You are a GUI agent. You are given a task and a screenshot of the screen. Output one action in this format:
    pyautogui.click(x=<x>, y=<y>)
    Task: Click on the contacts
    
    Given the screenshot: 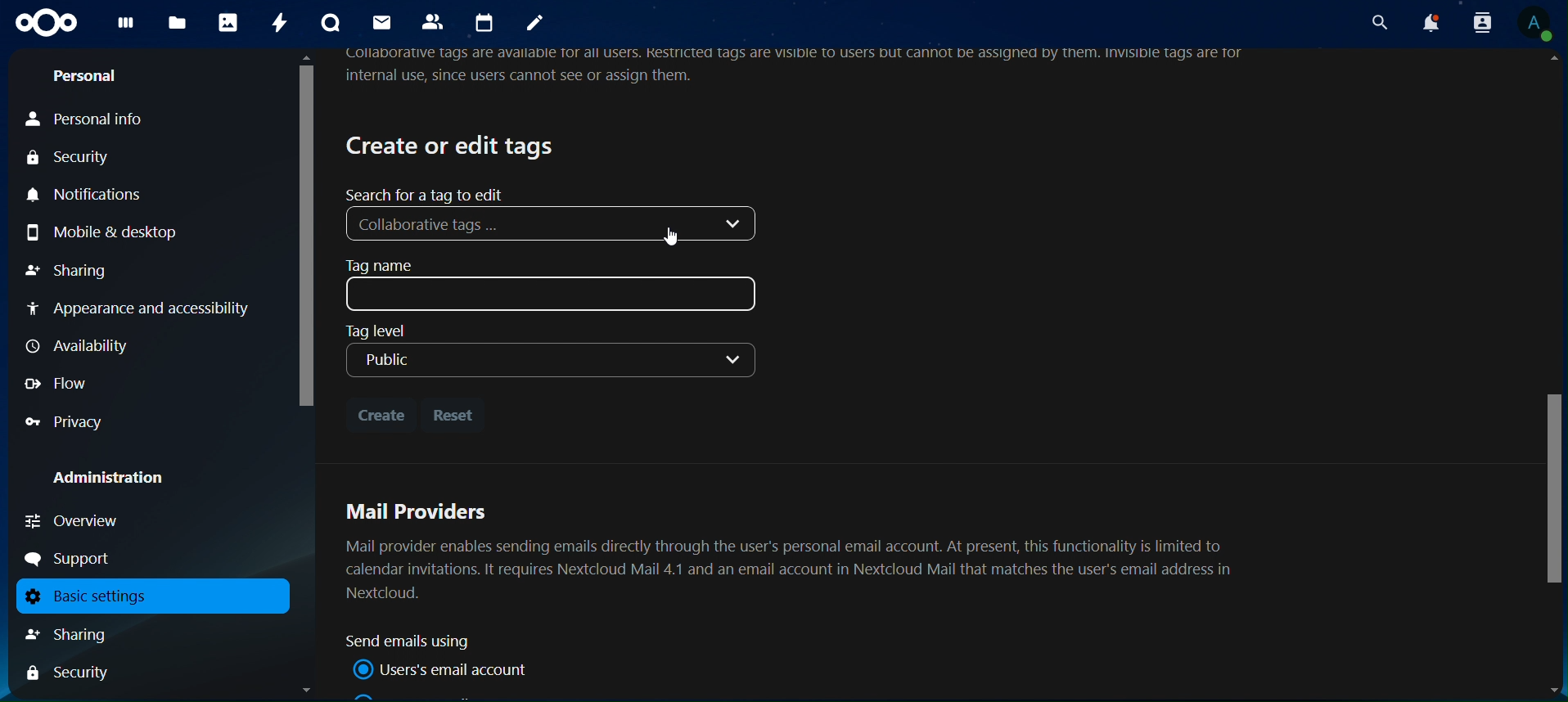 What is the action you would take?
    pyautogui.click(x=436, y=23)
    